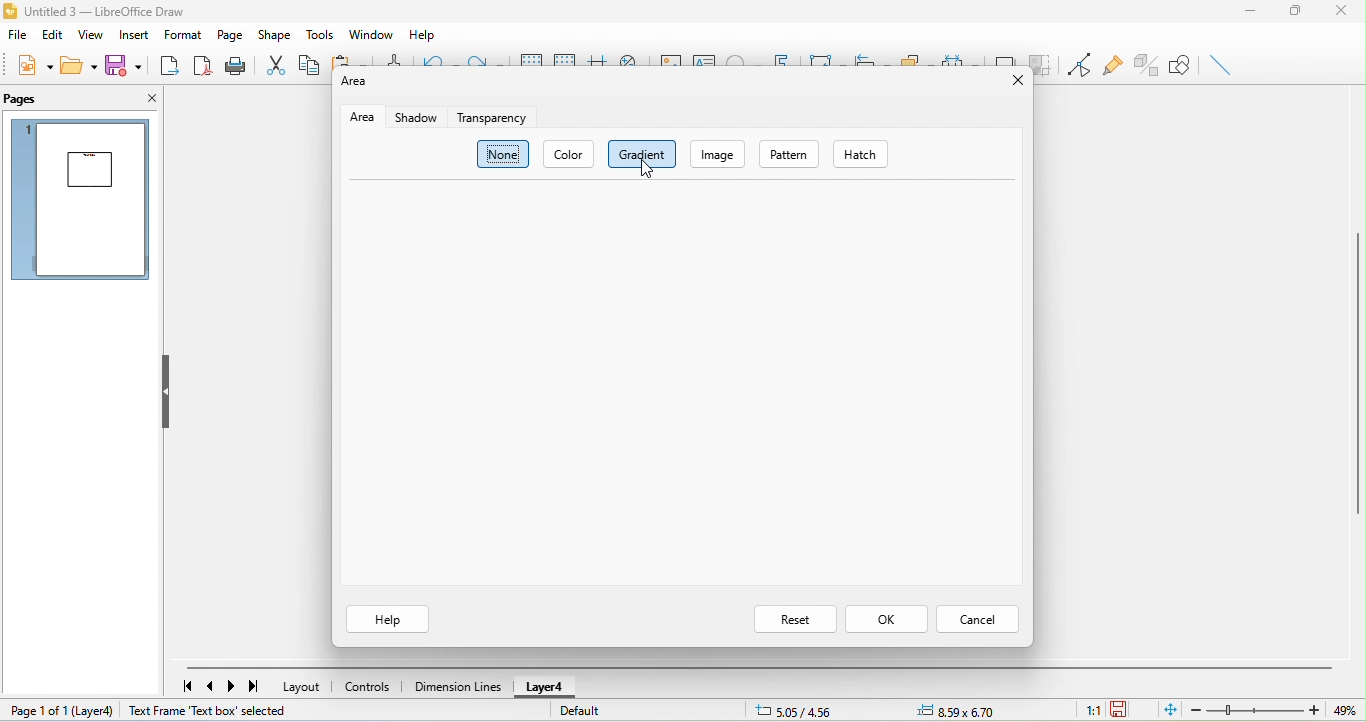  Describe the element at coordinates (1185, 65) in the screenshot. I see `show draw function` at that location.